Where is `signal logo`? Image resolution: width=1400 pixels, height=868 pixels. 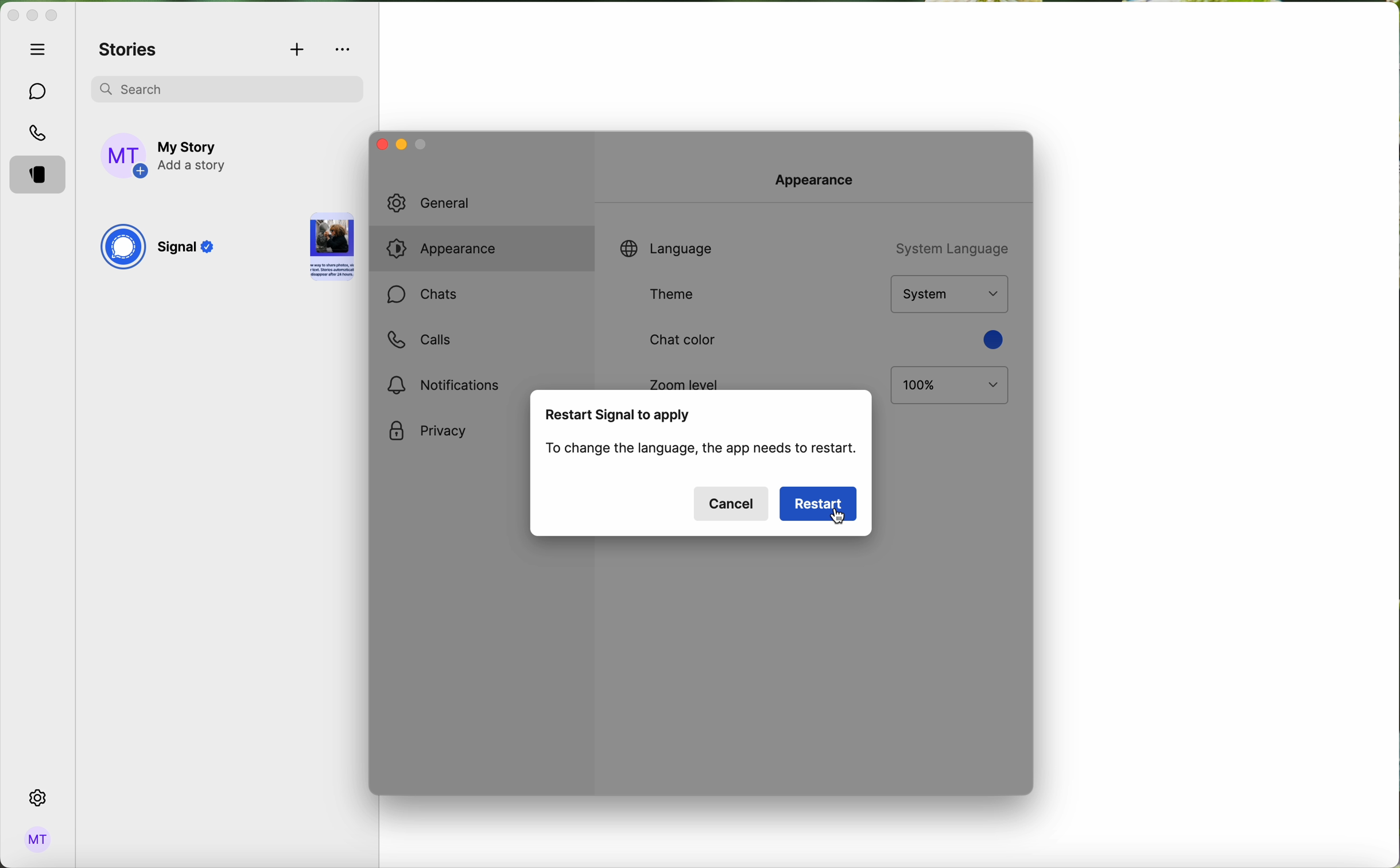 signal logo is located at coordinates (122, 249).